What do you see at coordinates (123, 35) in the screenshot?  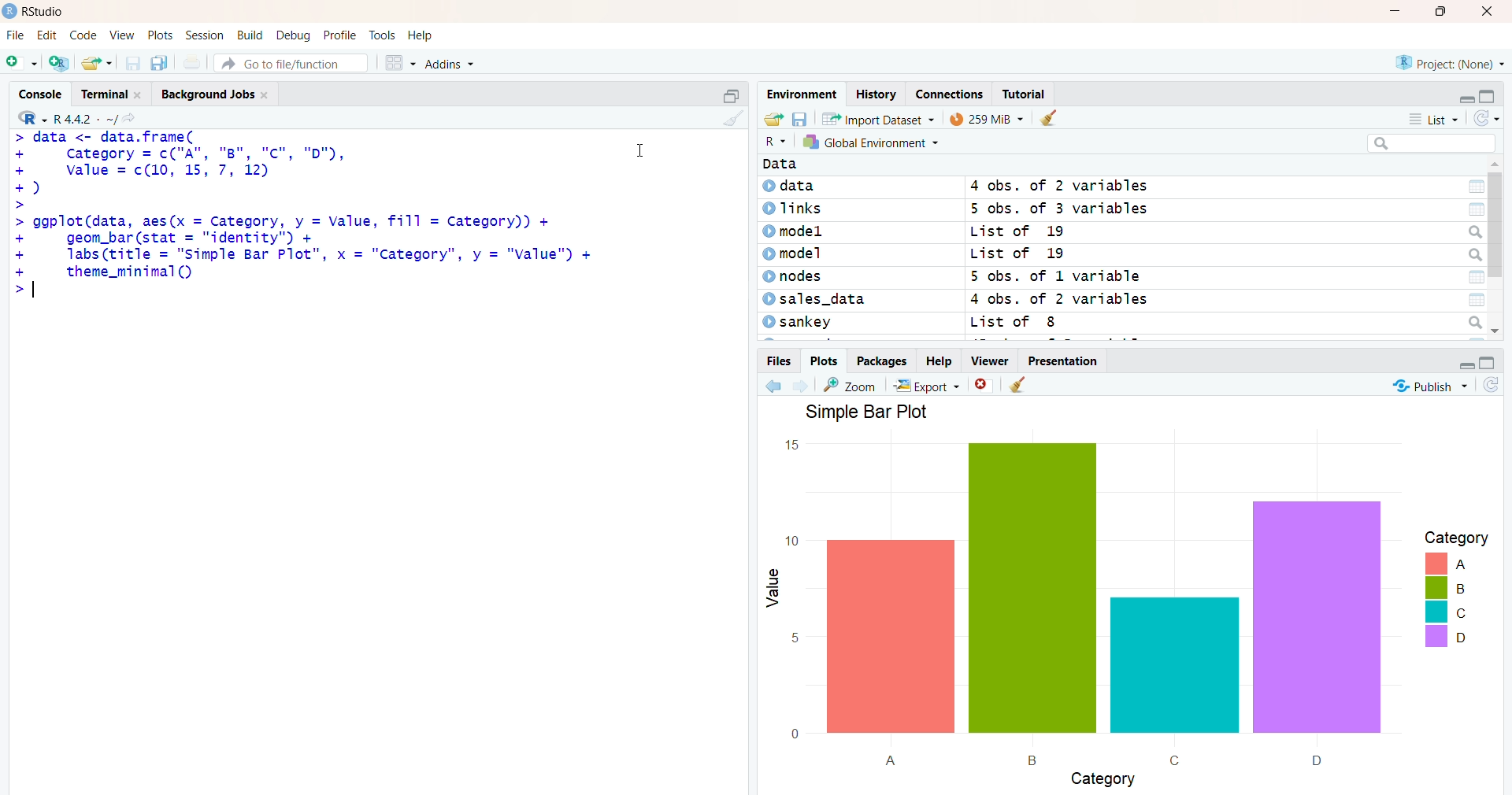 I see `View` at bounding box center [123, 35].